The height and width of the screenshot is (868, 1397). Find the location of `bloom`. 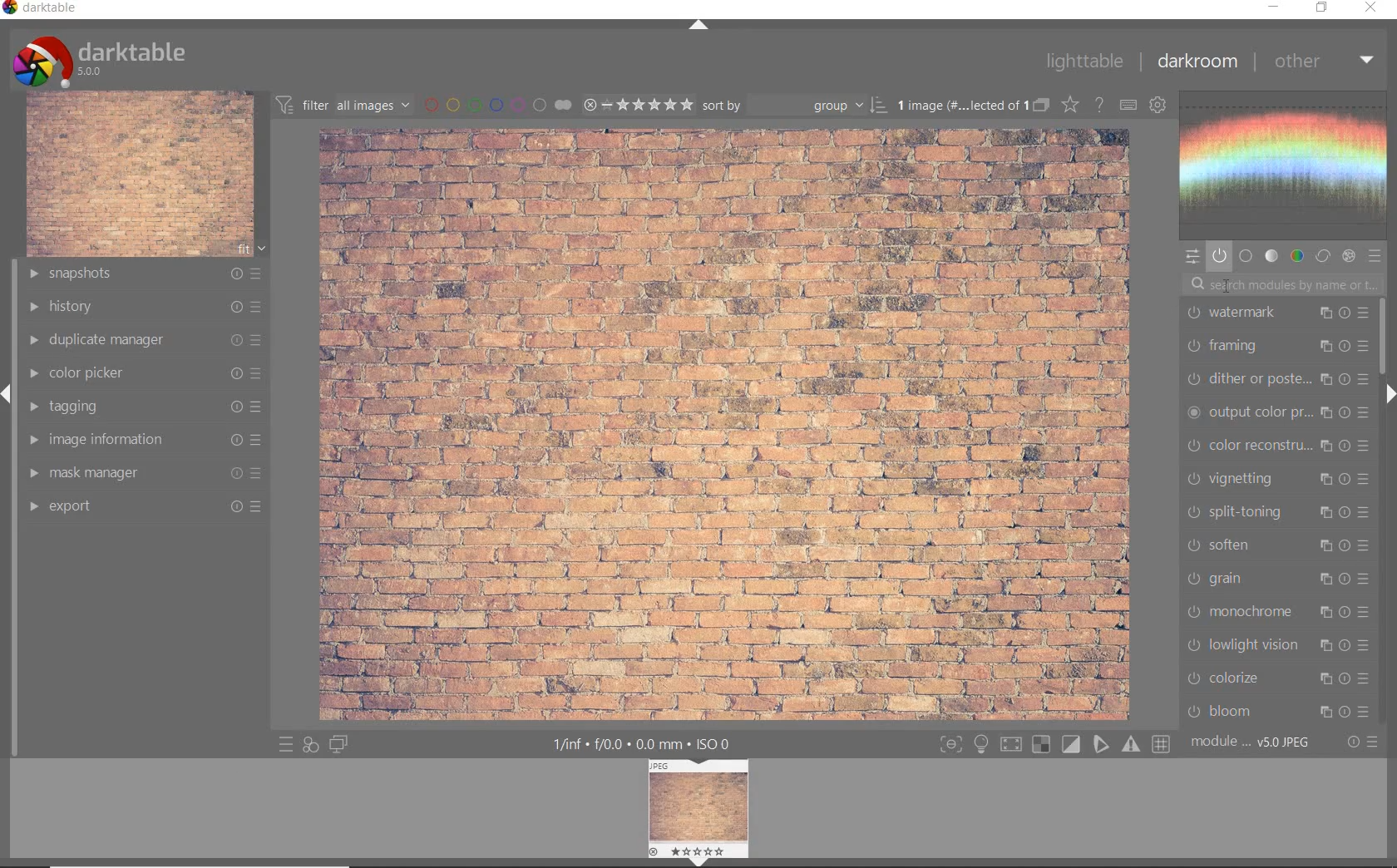

bloom is located at coordinates (1277, 713).